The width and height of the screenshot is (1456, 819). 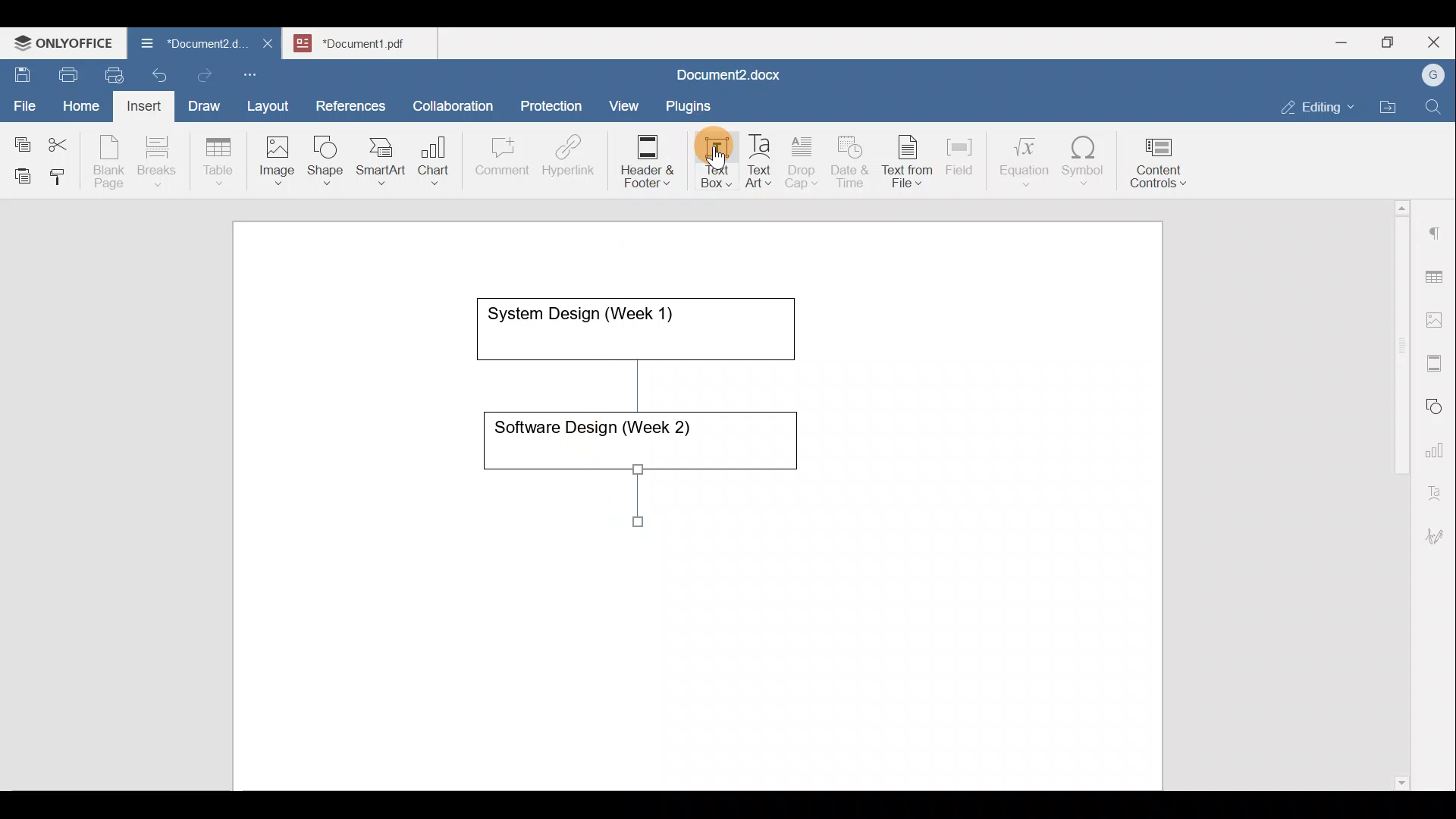 What do you see at coordinates (20, 140) in the screenshot?
I see `Copy` at bounding box center [20, 140].